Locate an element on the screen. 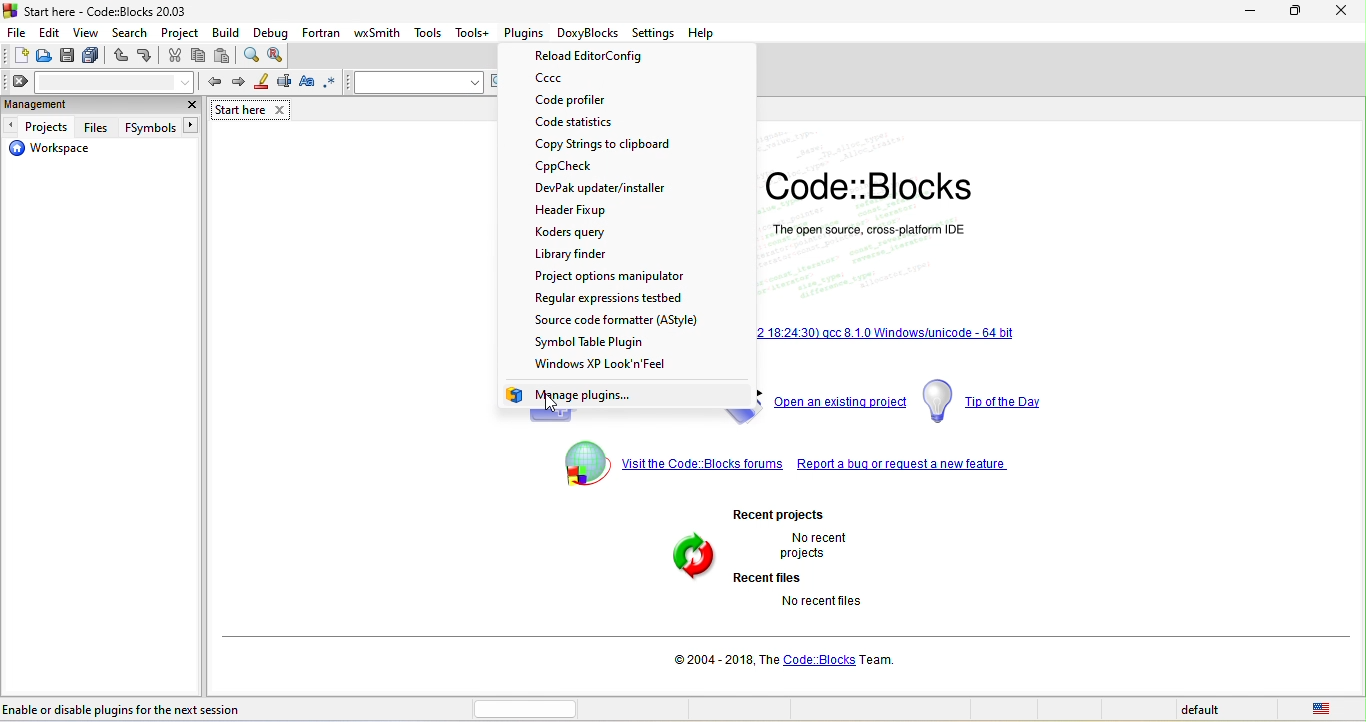 This screenshot has height=722, width=1366. new is located at coordinates (16, 55).